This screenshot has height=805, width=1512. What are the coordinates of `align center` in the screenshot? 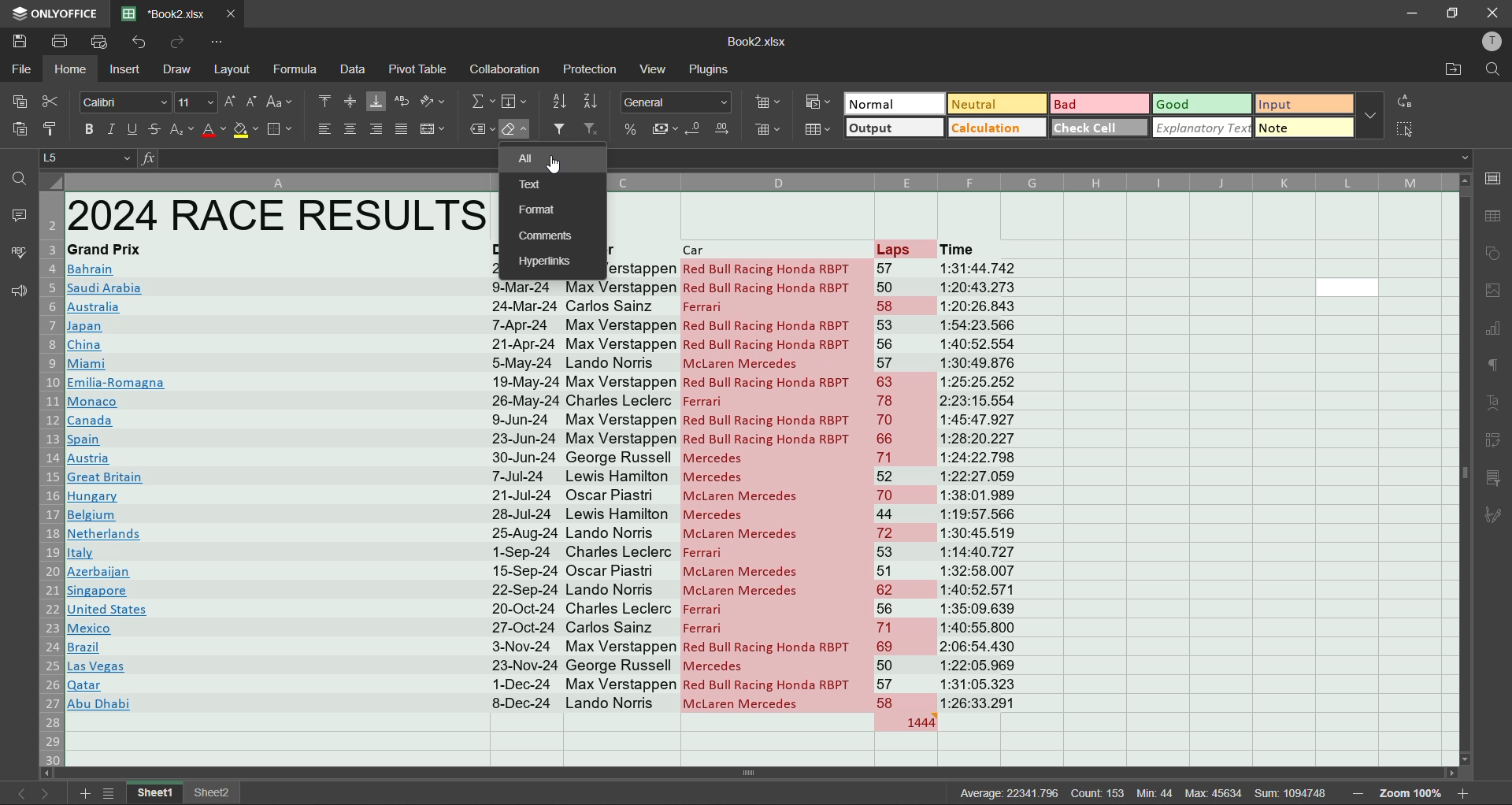 It's located at (353, 130).